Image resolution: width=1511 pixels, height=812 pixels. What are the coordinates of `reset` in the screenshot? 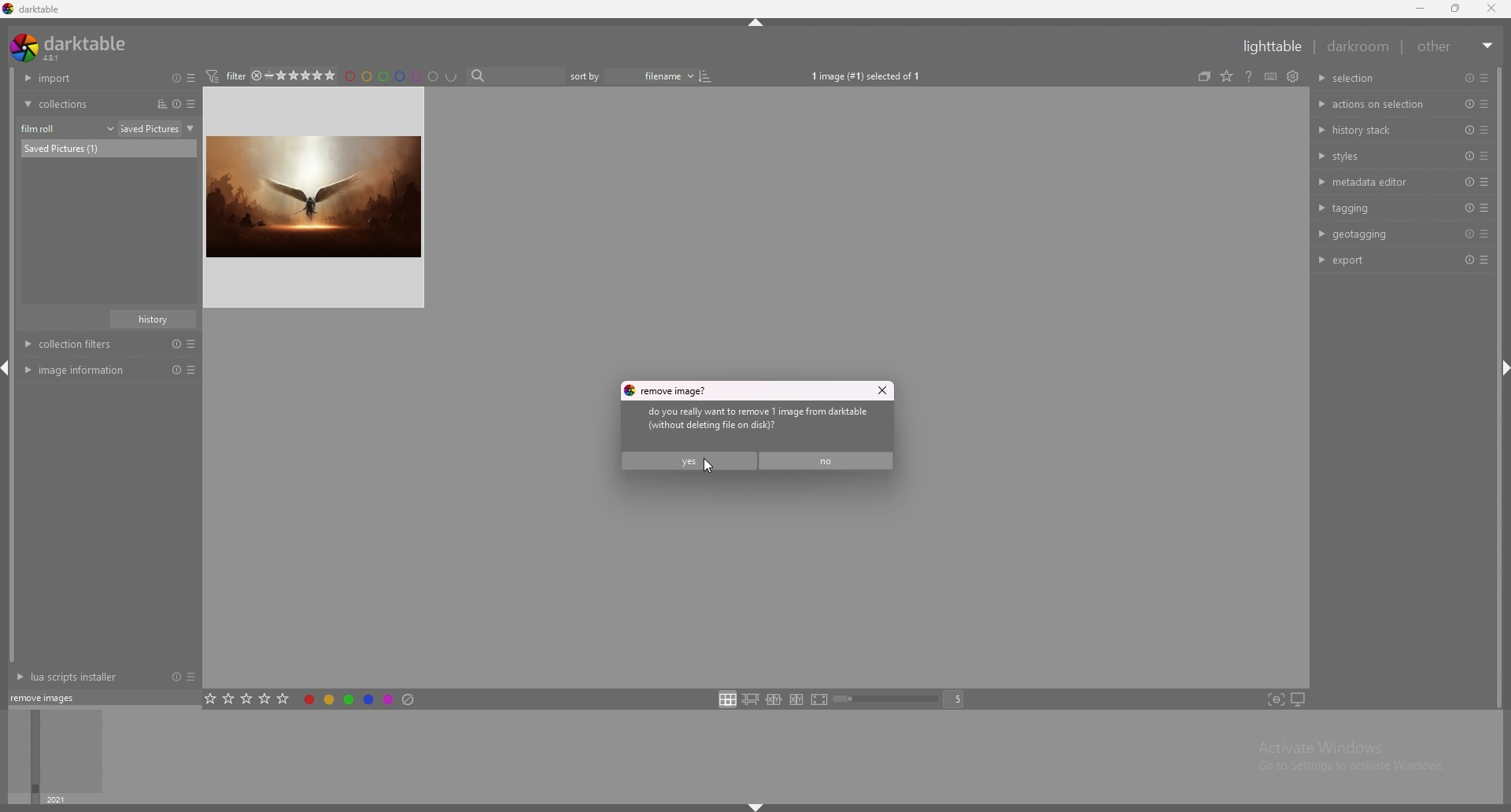 It's located at (1469, 234).